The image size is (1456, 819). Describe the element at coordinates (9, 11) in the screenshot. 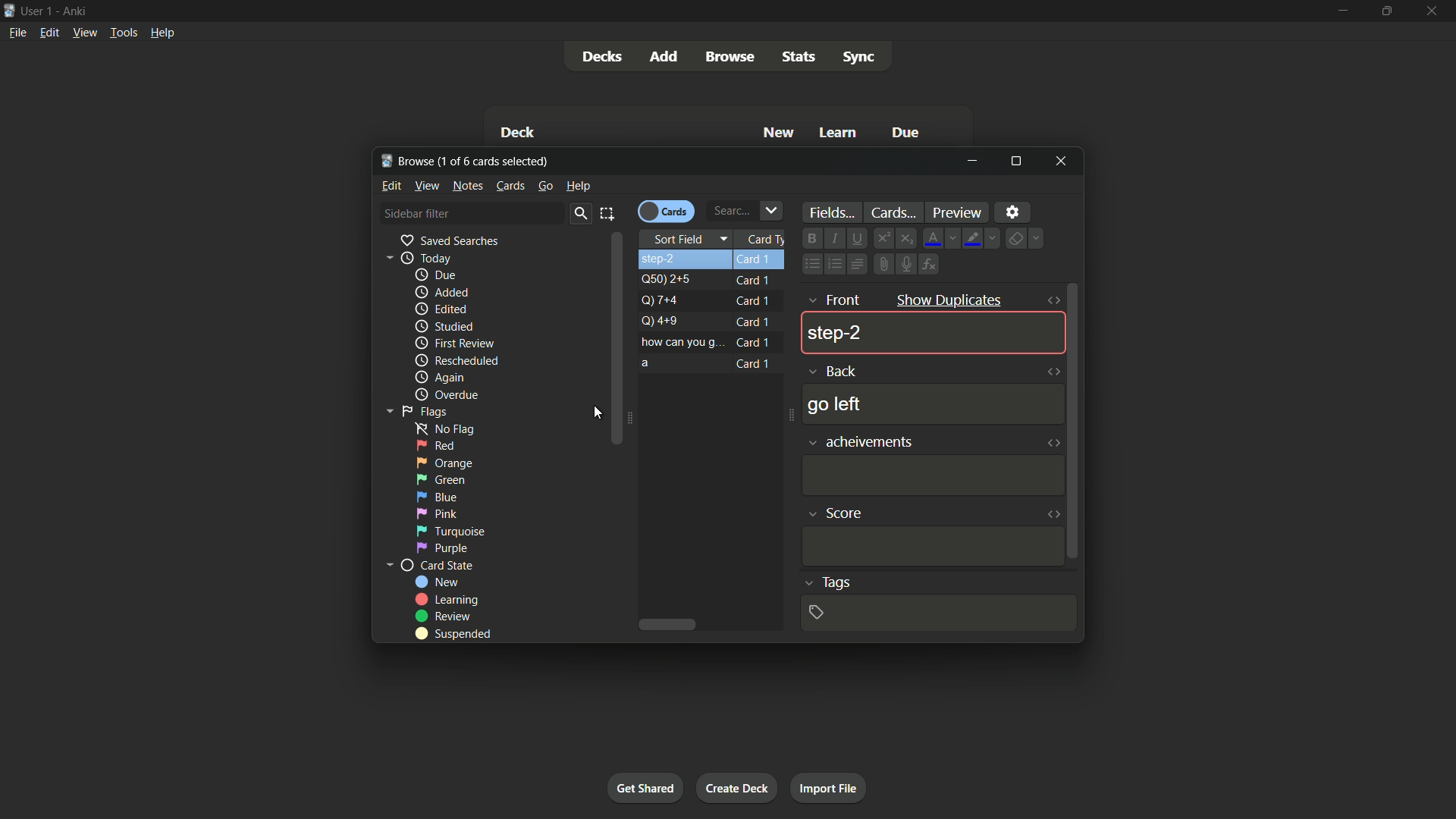

I see `App icon` at that location.